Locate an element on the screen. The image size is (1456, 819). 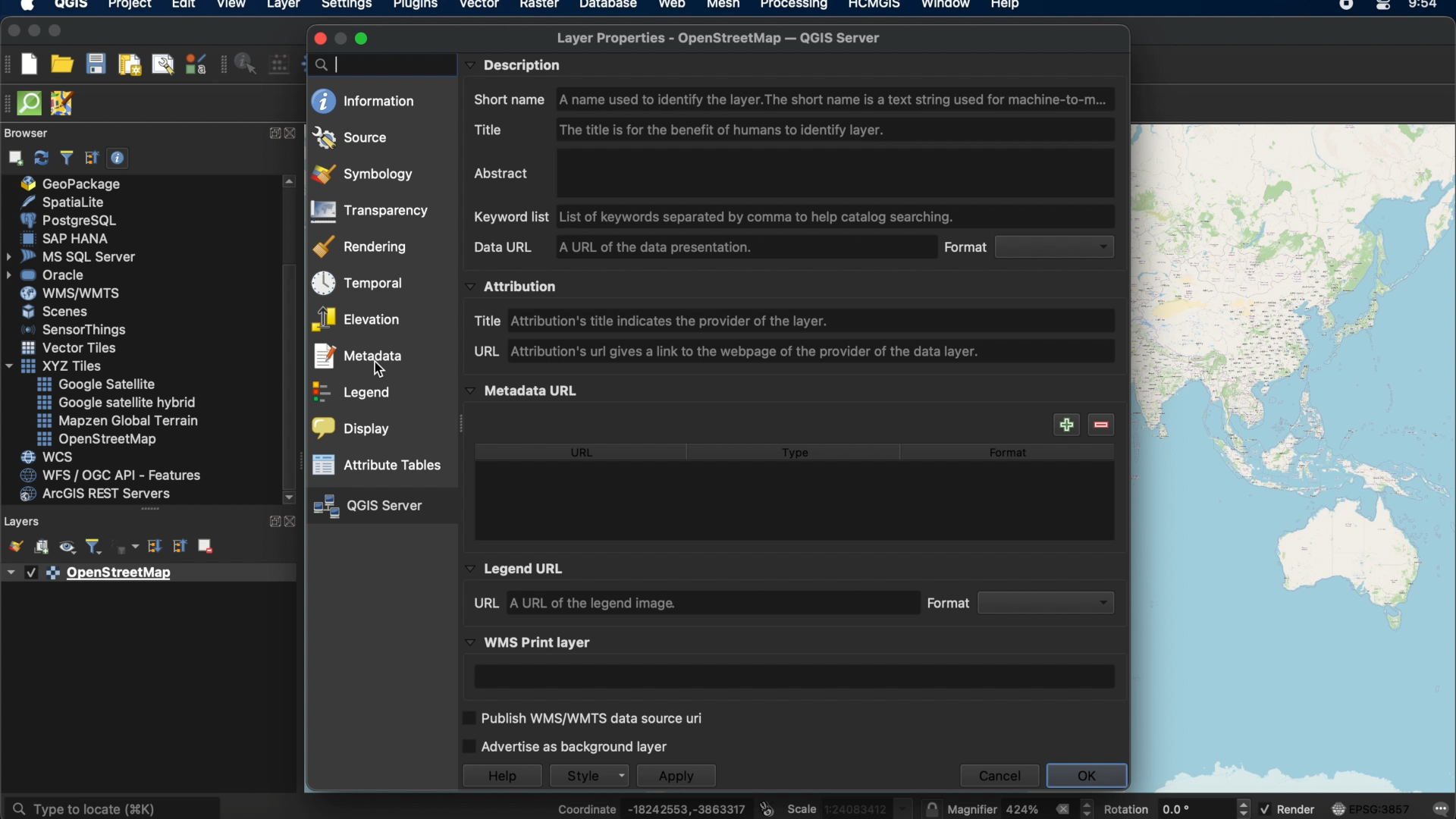
add selected layers is located at coordinates (13, 158).